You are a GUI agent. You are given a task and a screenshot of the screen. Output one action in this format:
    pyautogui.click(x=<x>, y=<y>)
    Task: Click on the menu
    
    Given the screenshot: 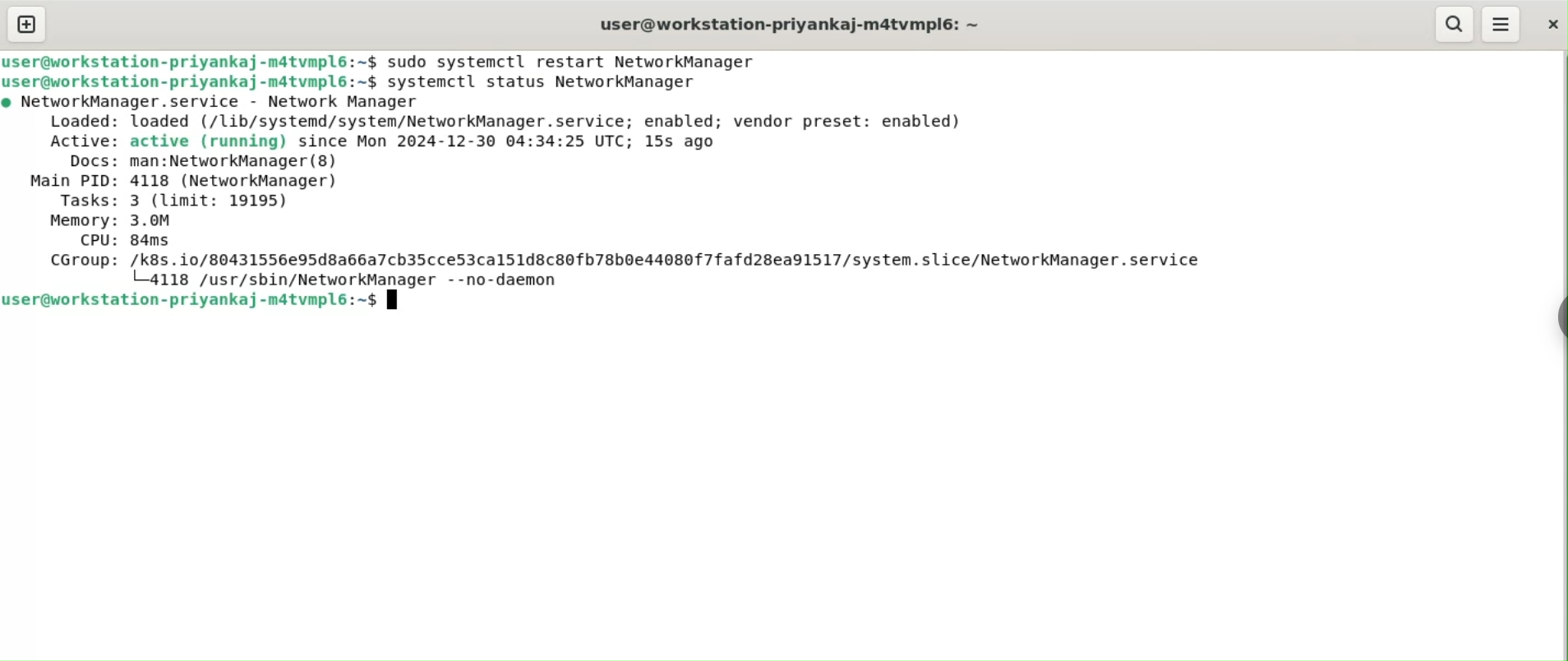 What is the action you would take?
    pyautogui.click(x=1503, y=22)
    